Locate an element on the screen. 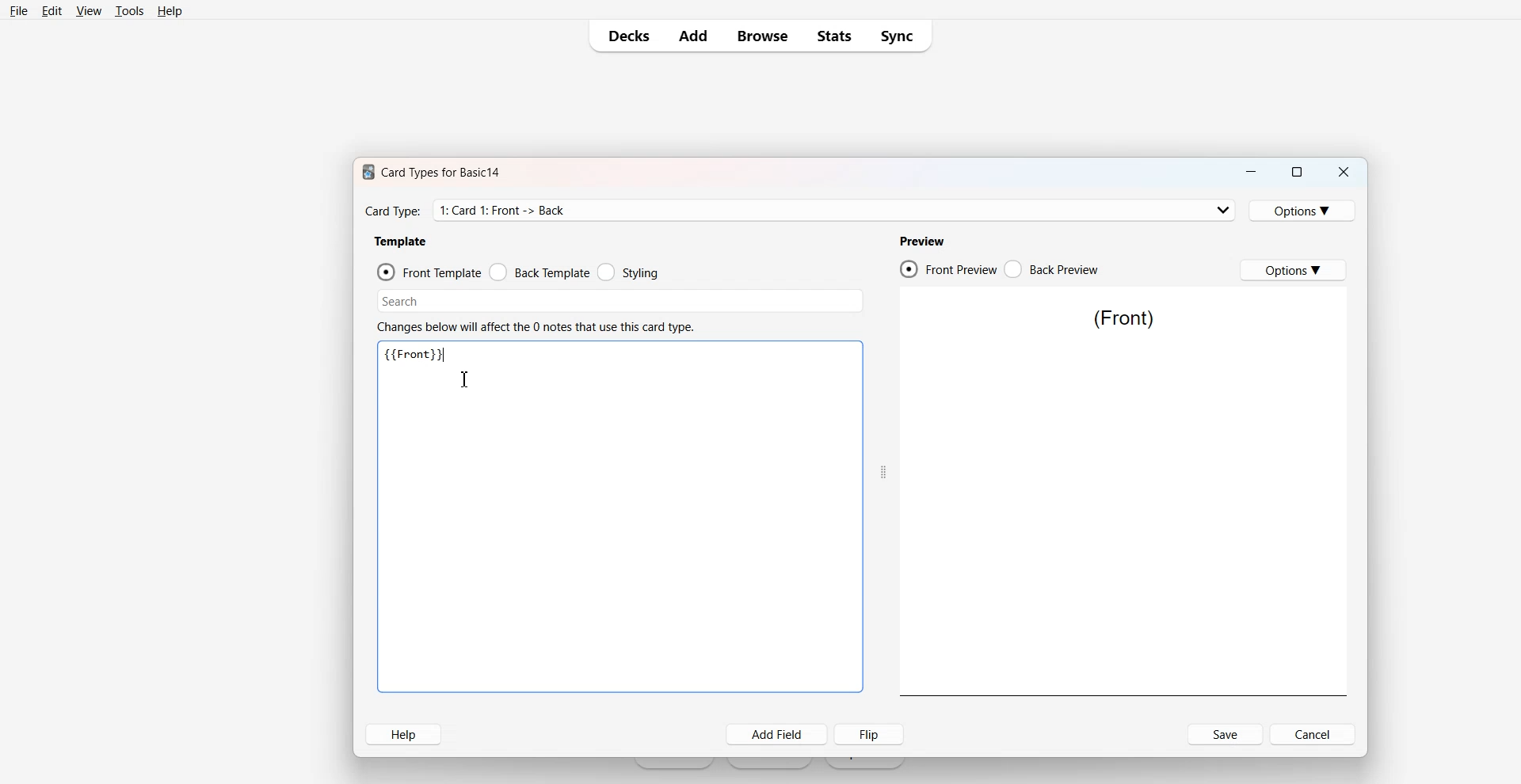 This screenshot has width=1521, height=784. Get Started is located at coordinates (675, 764).